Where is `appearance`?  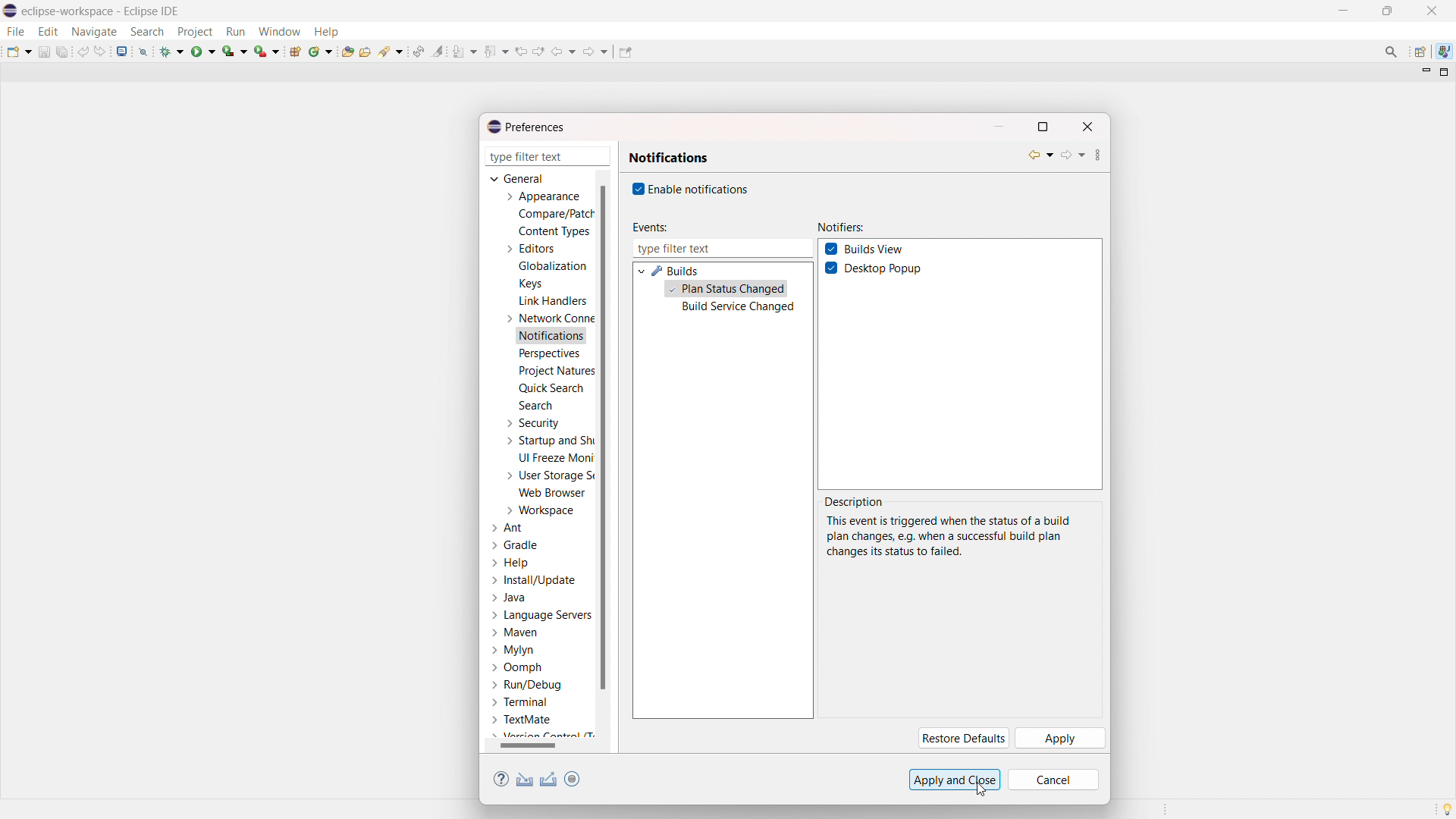 appearance is located at coordinates (541, 196).